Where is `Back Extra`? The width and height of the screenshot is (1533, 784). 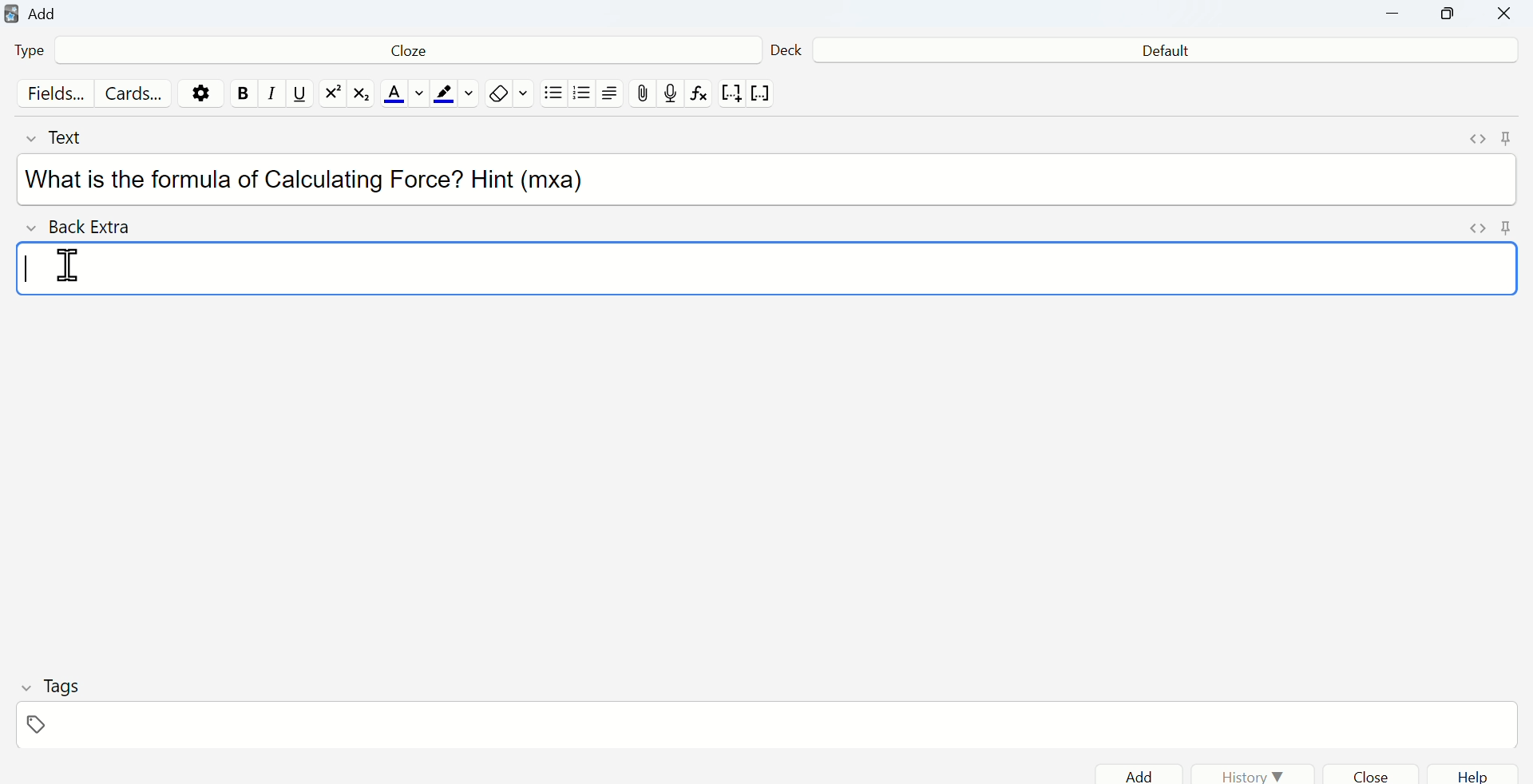
Back Extra is located at coordinates (85, 228).